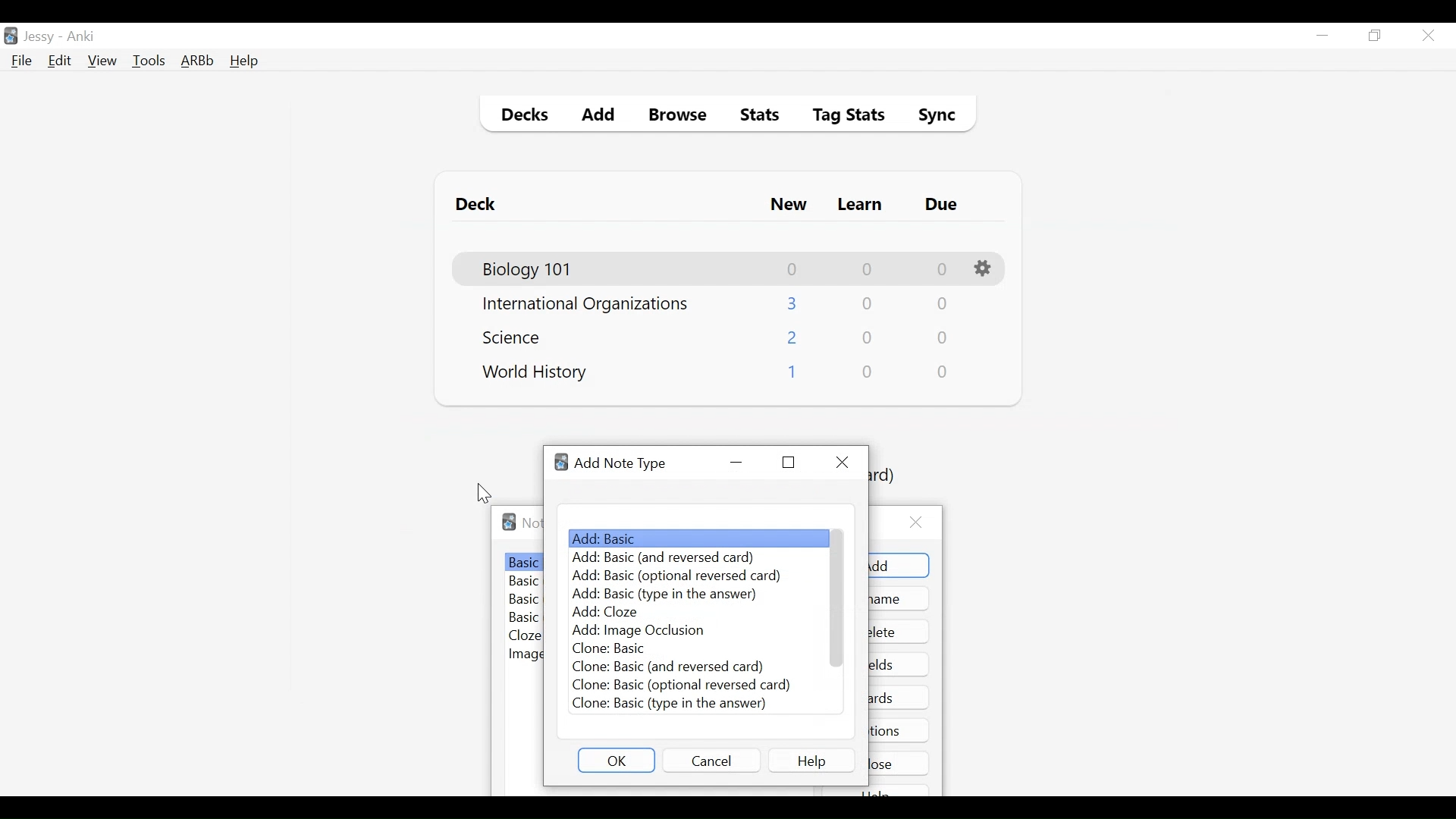 The height and width of the screenshot is (819, 1456). I want to click on Add Basi, so click(695, 538).